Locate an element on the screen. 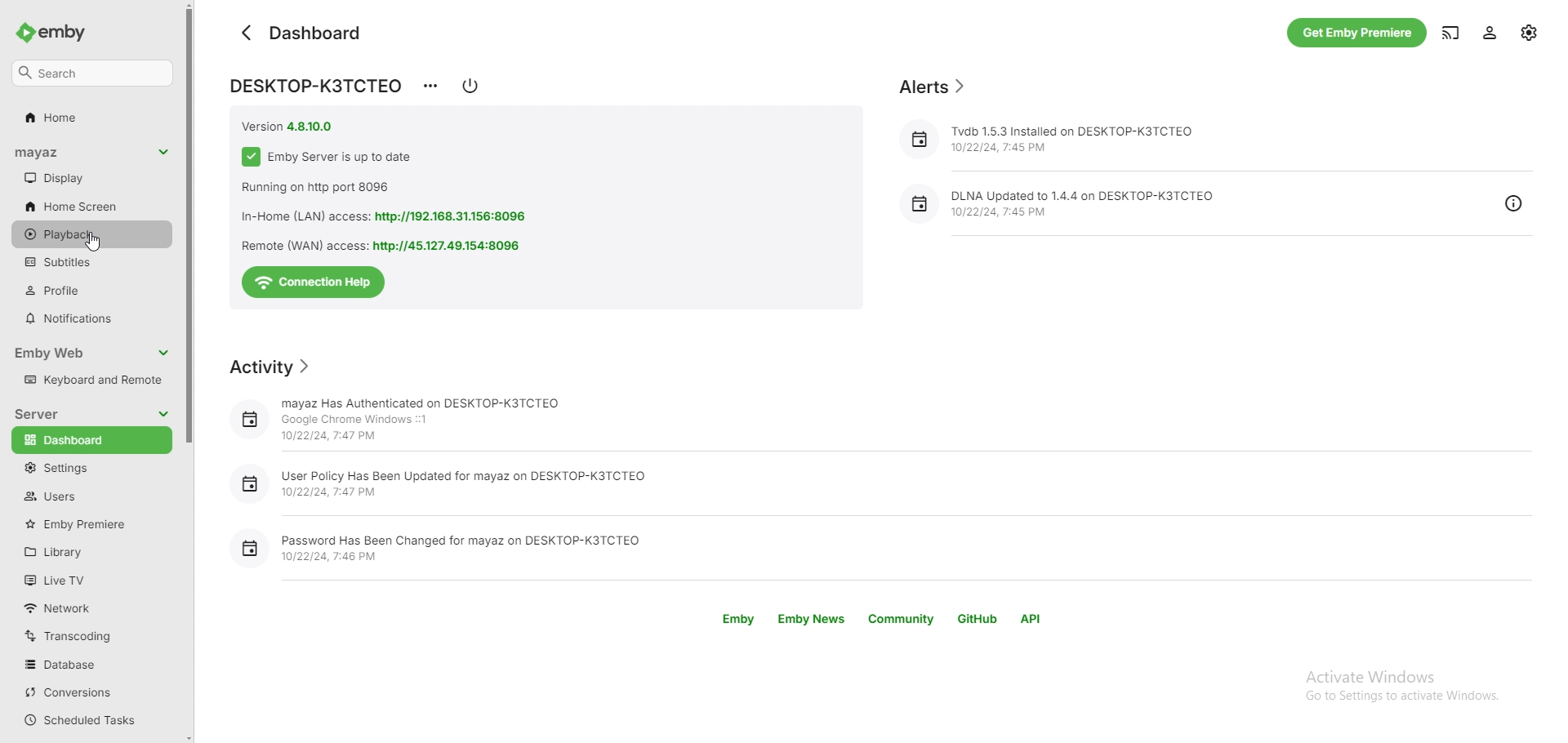  profiles is located at coordinates (88, 290).